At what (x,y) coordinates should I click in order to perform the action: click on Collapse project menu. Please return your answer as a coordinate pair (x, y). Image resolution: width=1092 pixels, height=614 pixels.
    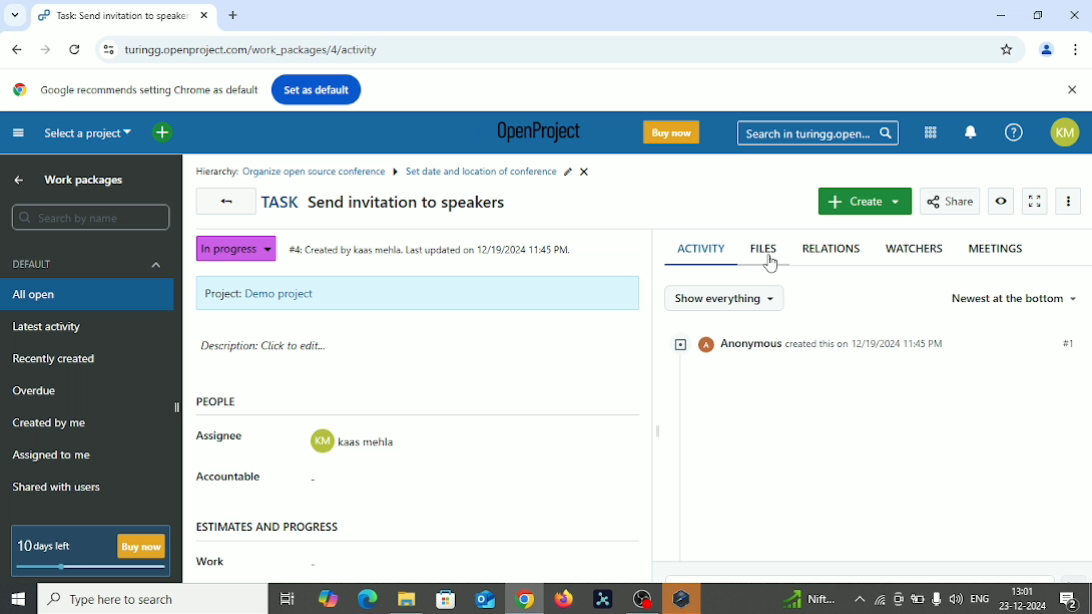
    Looking at the image, I should click on (19, 133).